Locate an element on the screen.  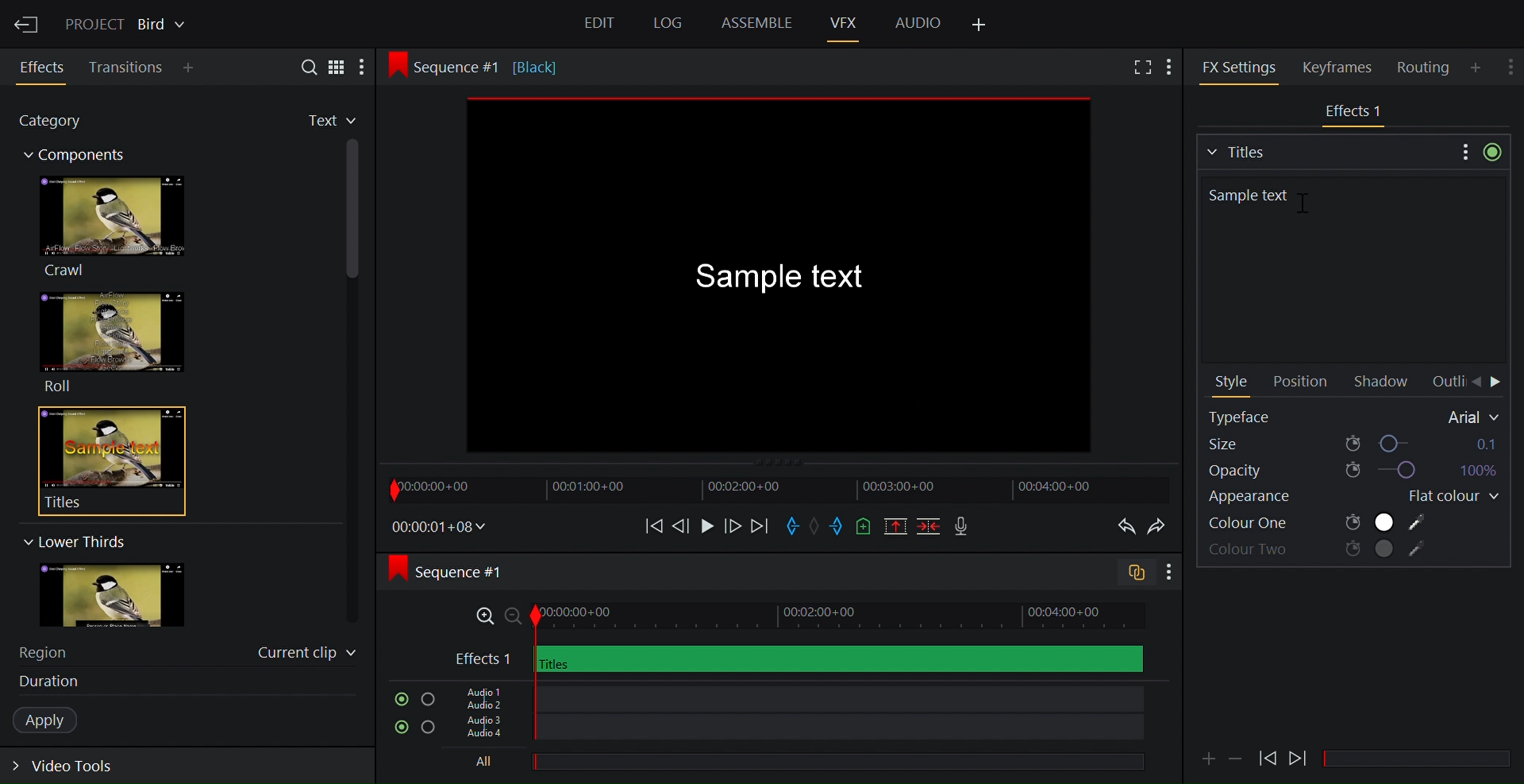
Expand video tools is located at coordinates (73, 769).